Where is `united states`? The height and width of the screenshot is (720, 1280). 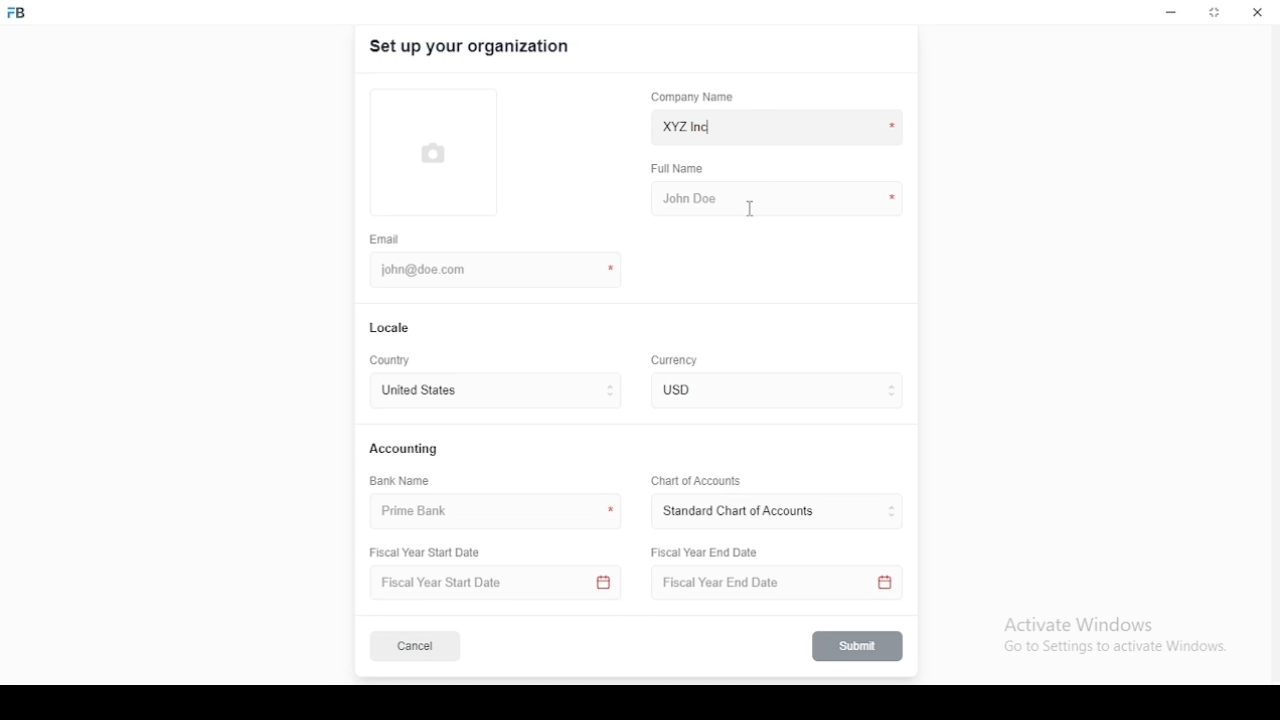
united states is located at coordinates (418, 392).